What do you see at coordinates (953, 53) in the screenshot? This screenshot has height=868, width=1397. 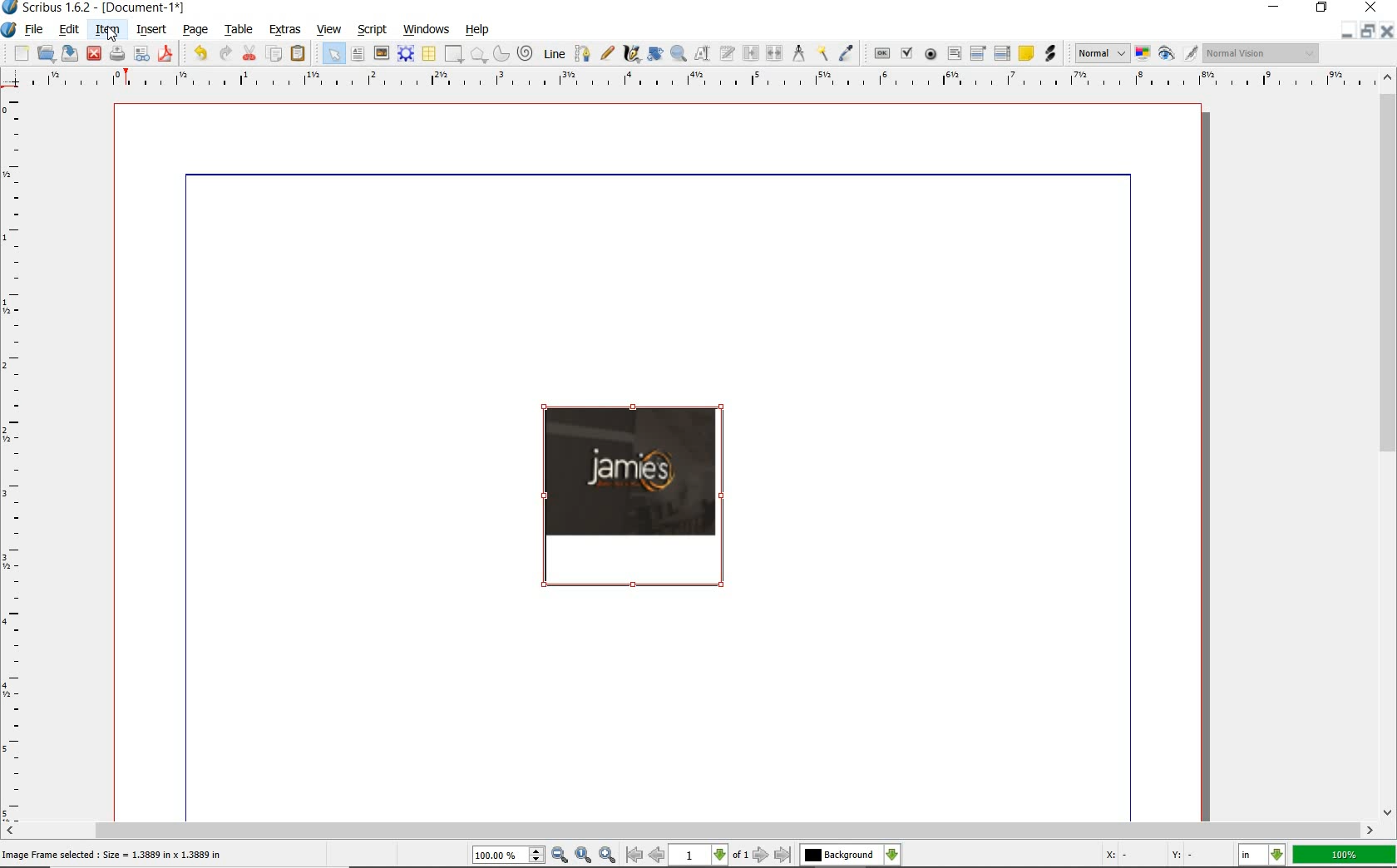 I see `pdf text field` at bounding box center [953, 53].